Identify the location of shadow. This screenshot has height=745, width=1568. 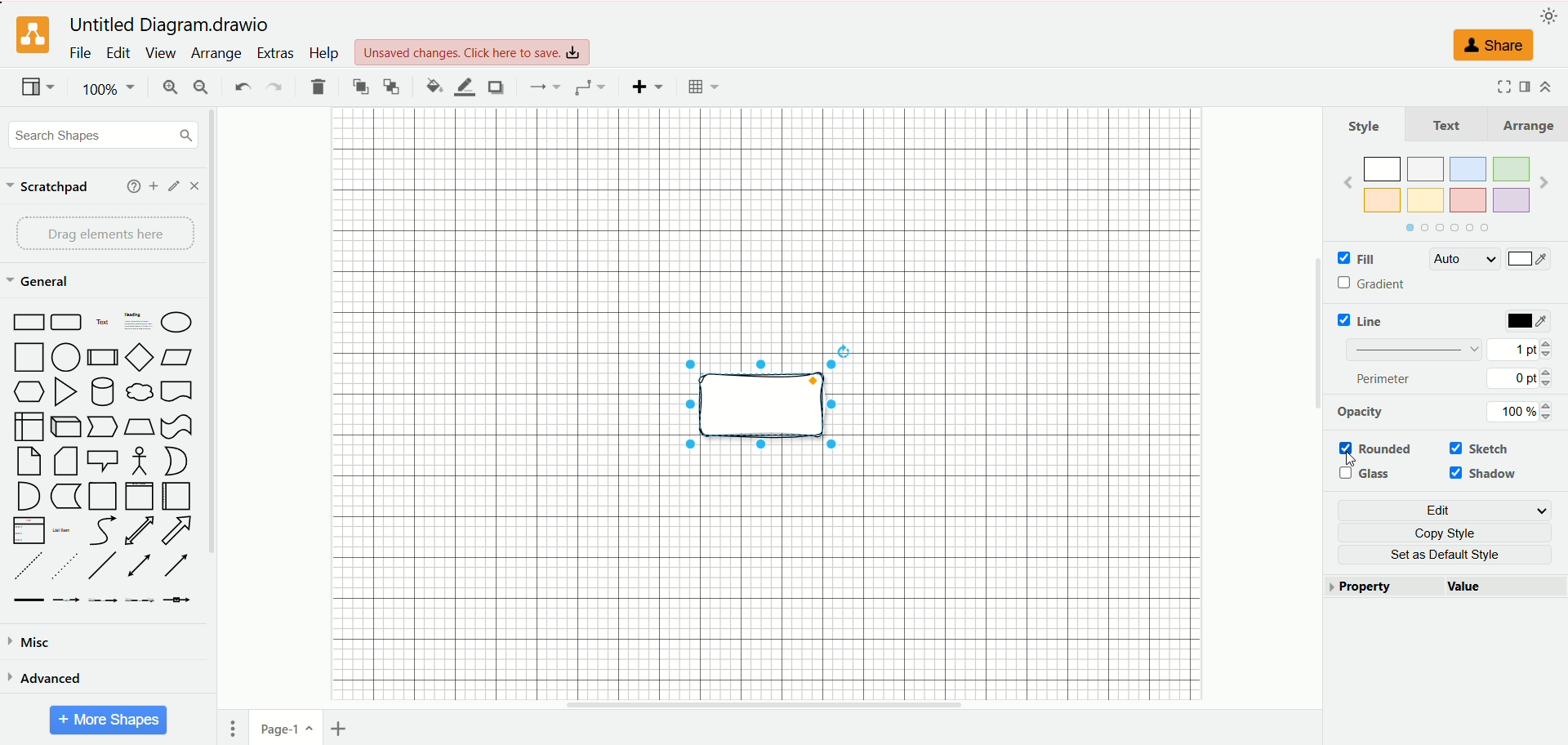
(1486, 475).